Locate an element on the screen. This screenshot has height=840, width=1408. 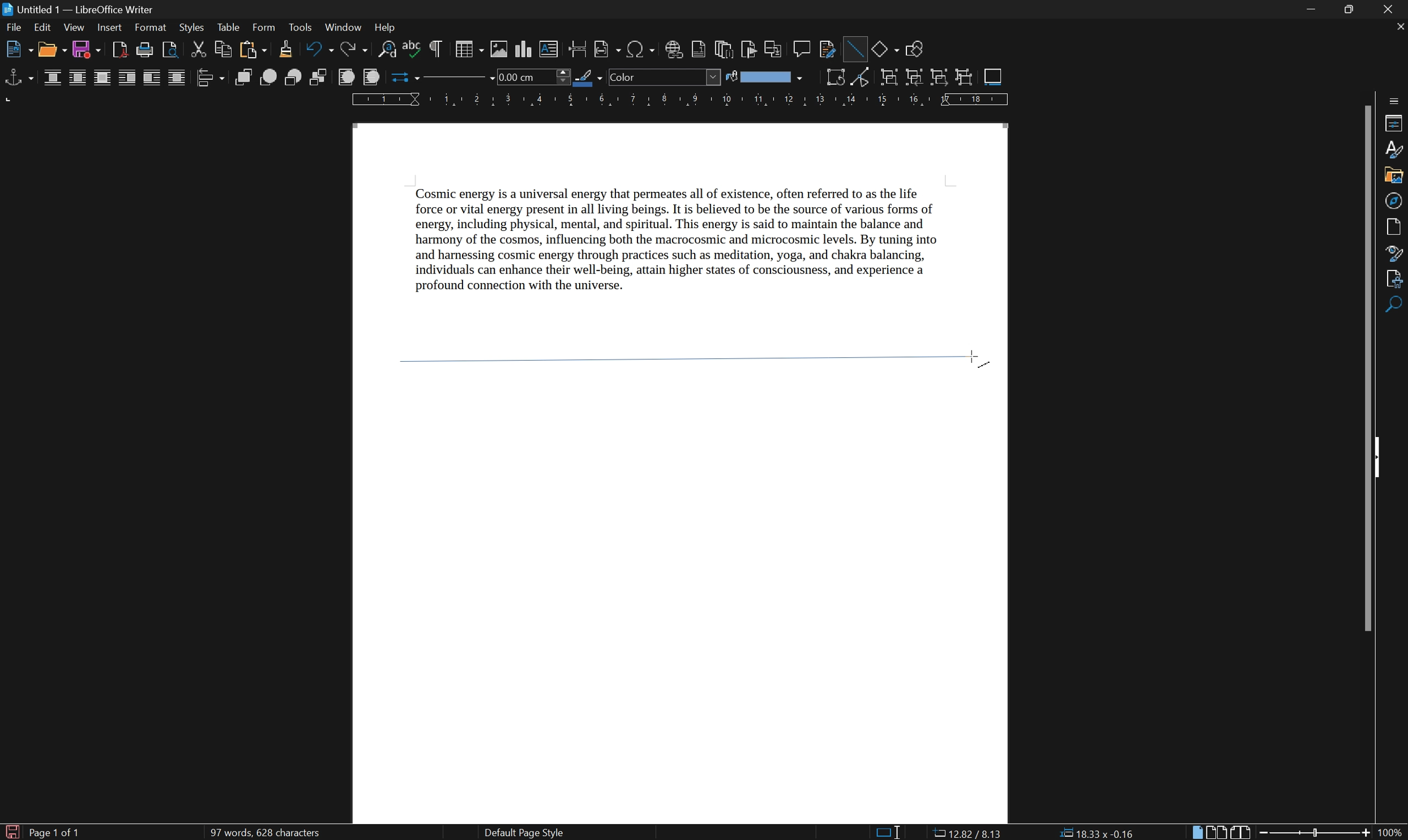
insert line is located at coordinates (854, 47).